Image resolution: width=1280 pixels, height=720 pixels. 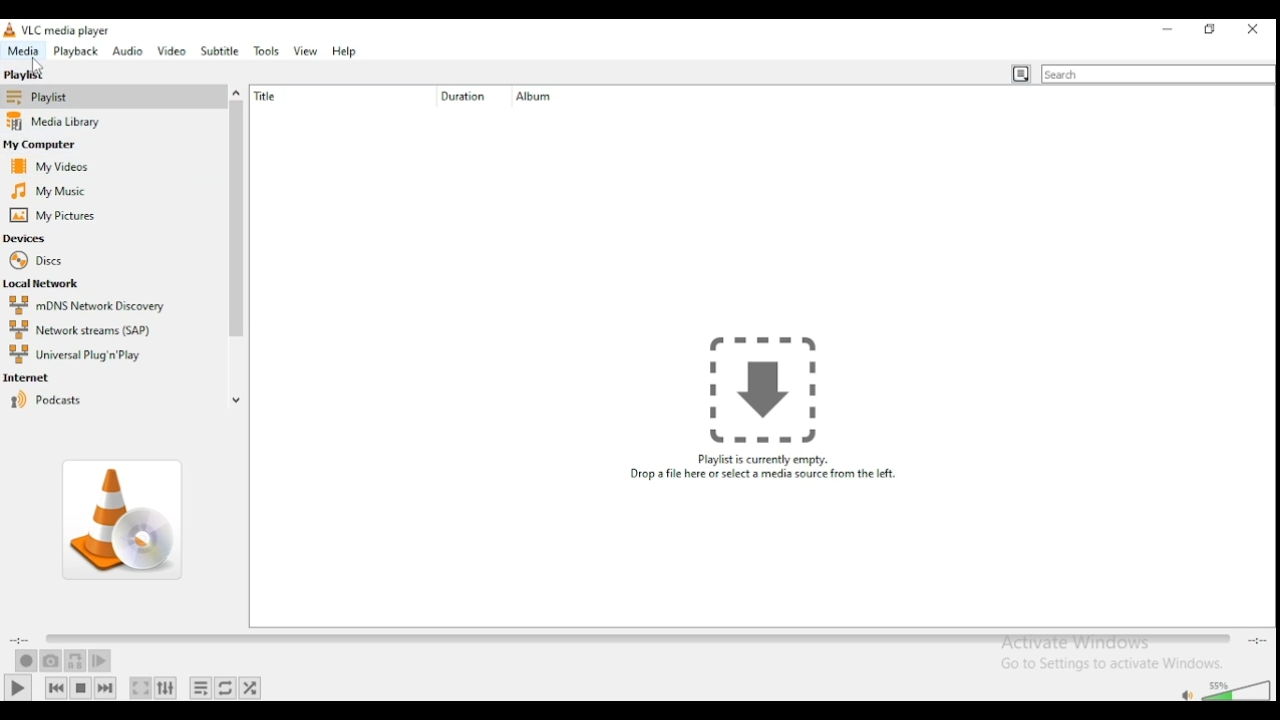 What do you see at coordinates (1112, 663) in the screenshot?
I see `Go to settings to activate windows` at bounding box center [1112, 663].